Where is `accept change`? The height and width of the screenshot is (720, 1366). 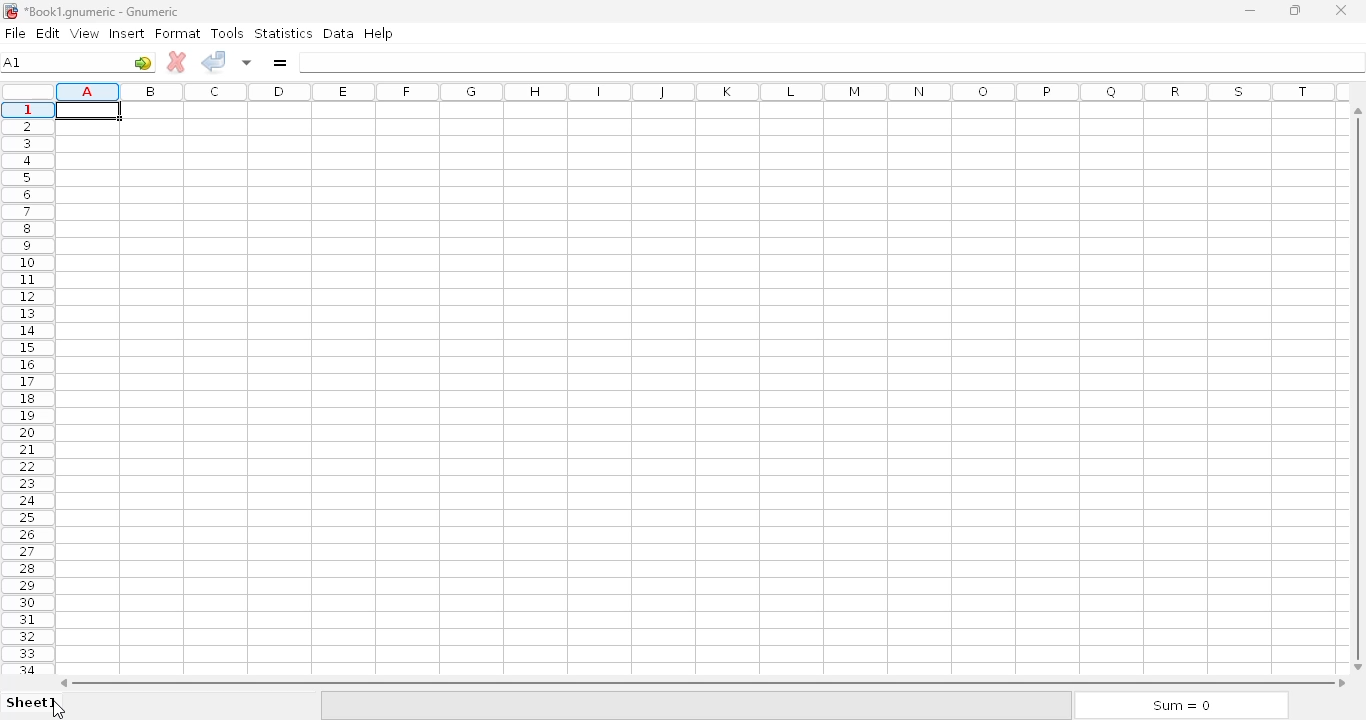 accept change is located at coordinates (214, 61).